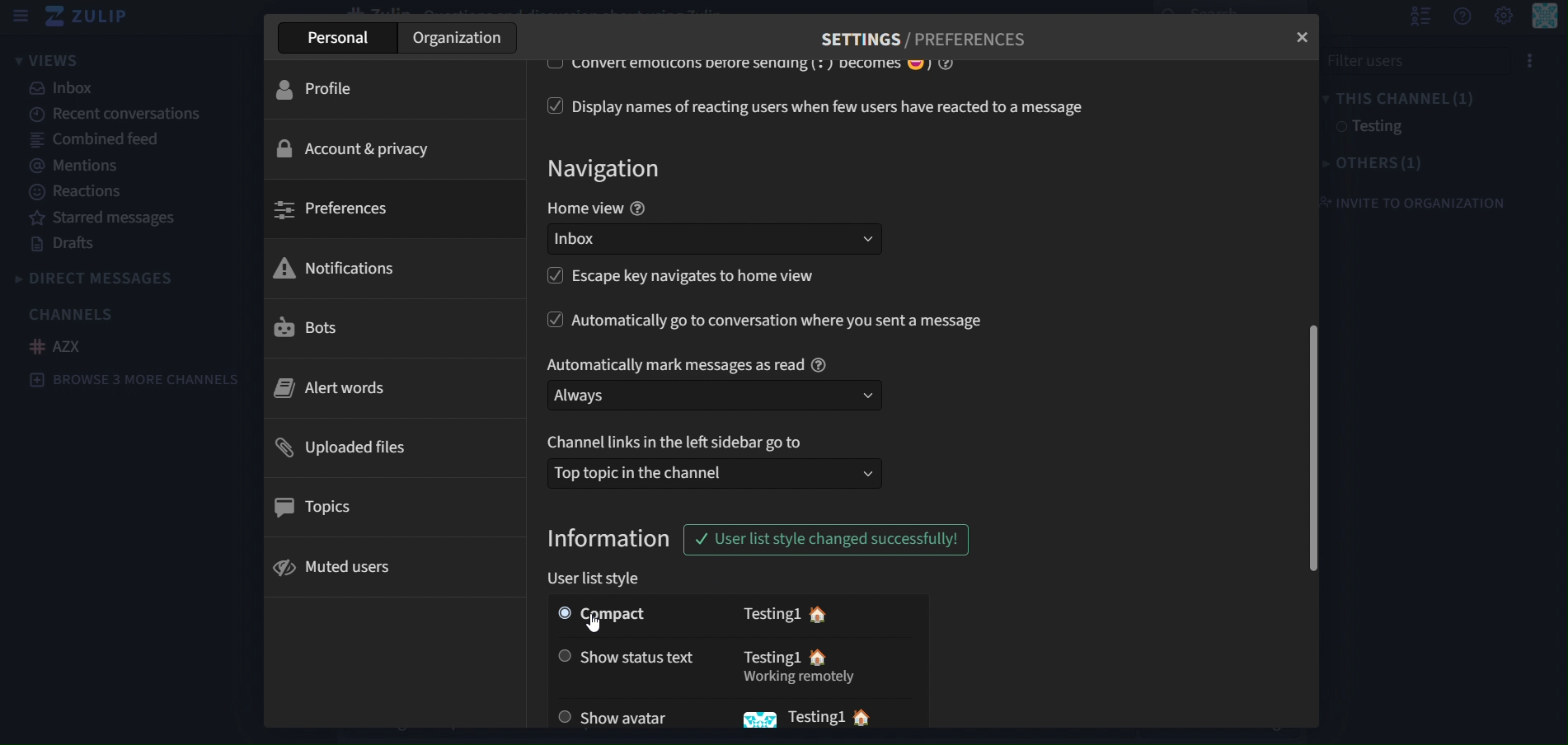 Image resolution: width=1568 pixels, height=745 pixels. I want to click on User list style changed successfully!, so click(823, 540).